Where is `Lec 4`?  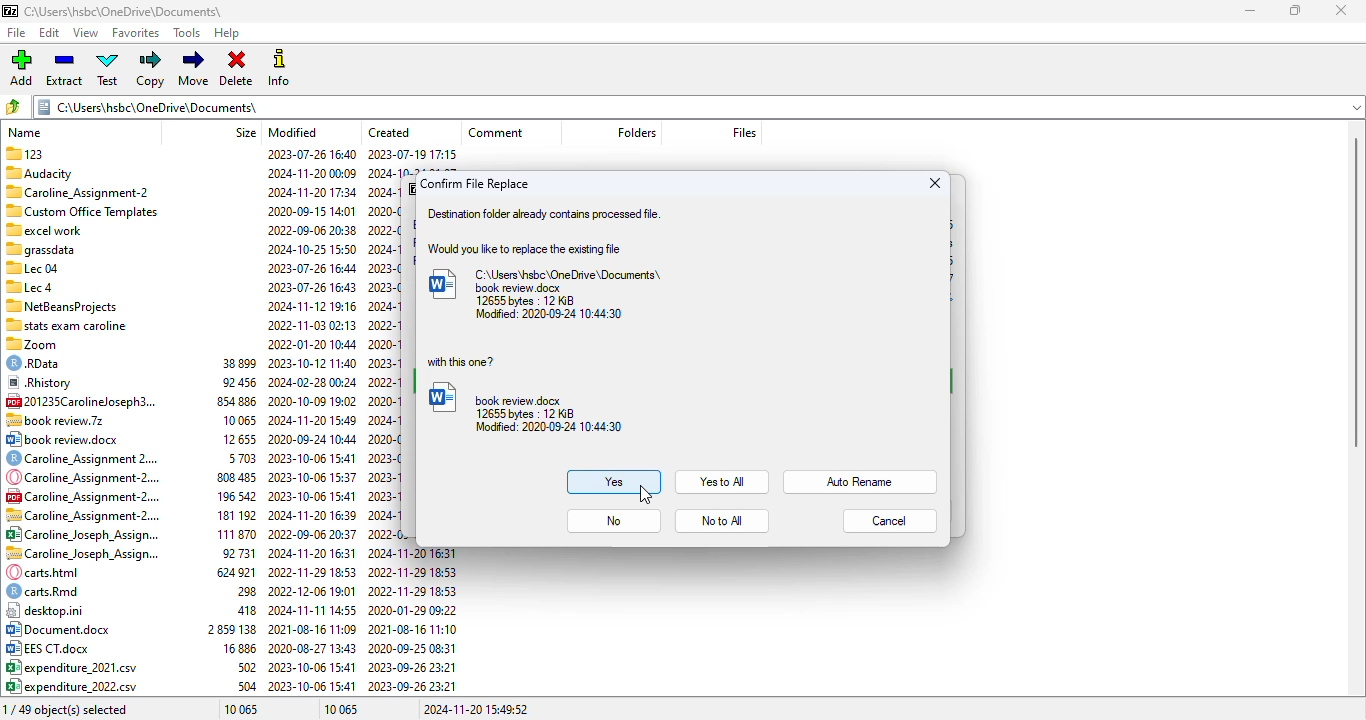
Lec 4 is located at coordinates (32, 286).